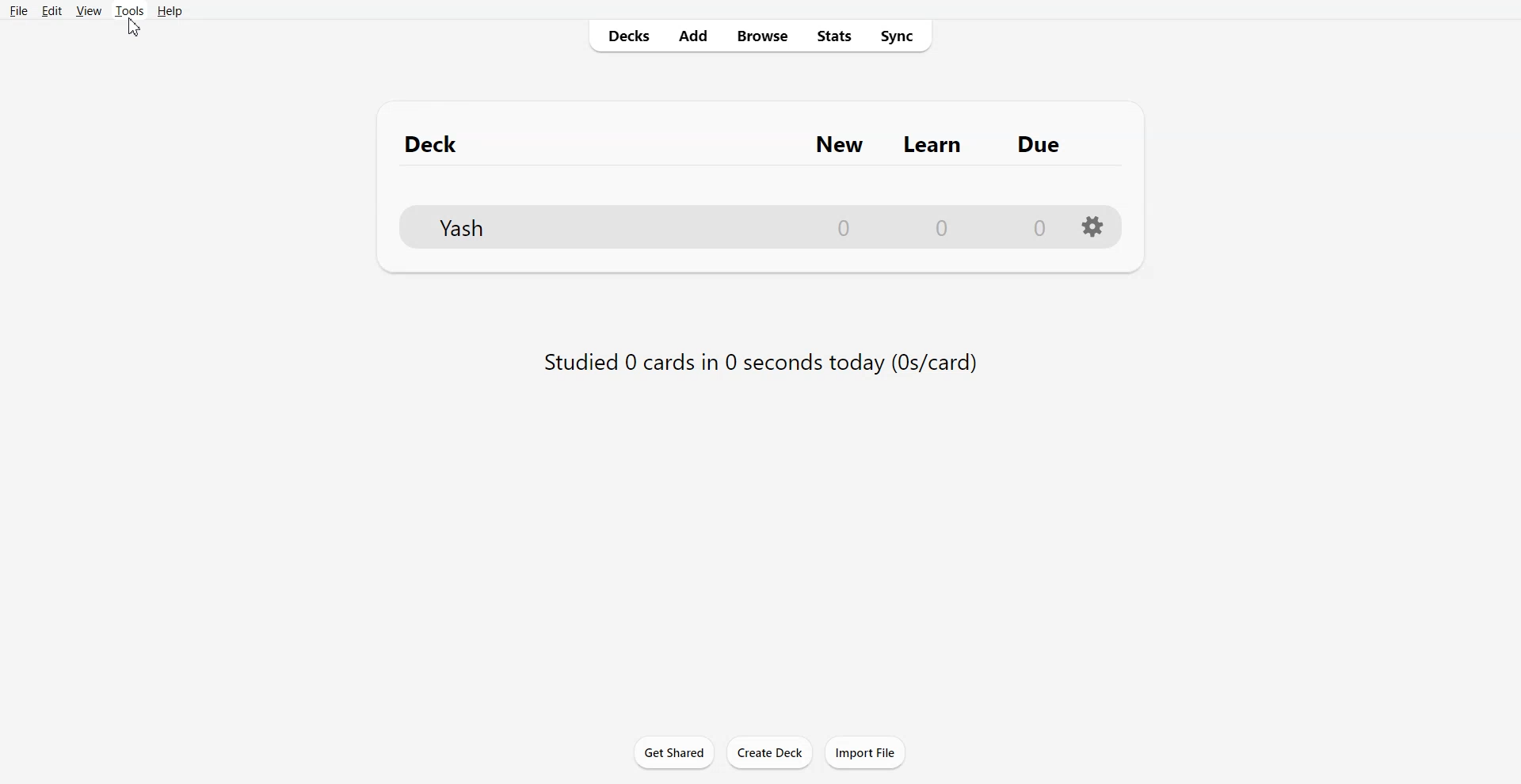 Image resolution: width=1521 pixels, height=784 pixels. I want to click on Due, so click(1039, 144).